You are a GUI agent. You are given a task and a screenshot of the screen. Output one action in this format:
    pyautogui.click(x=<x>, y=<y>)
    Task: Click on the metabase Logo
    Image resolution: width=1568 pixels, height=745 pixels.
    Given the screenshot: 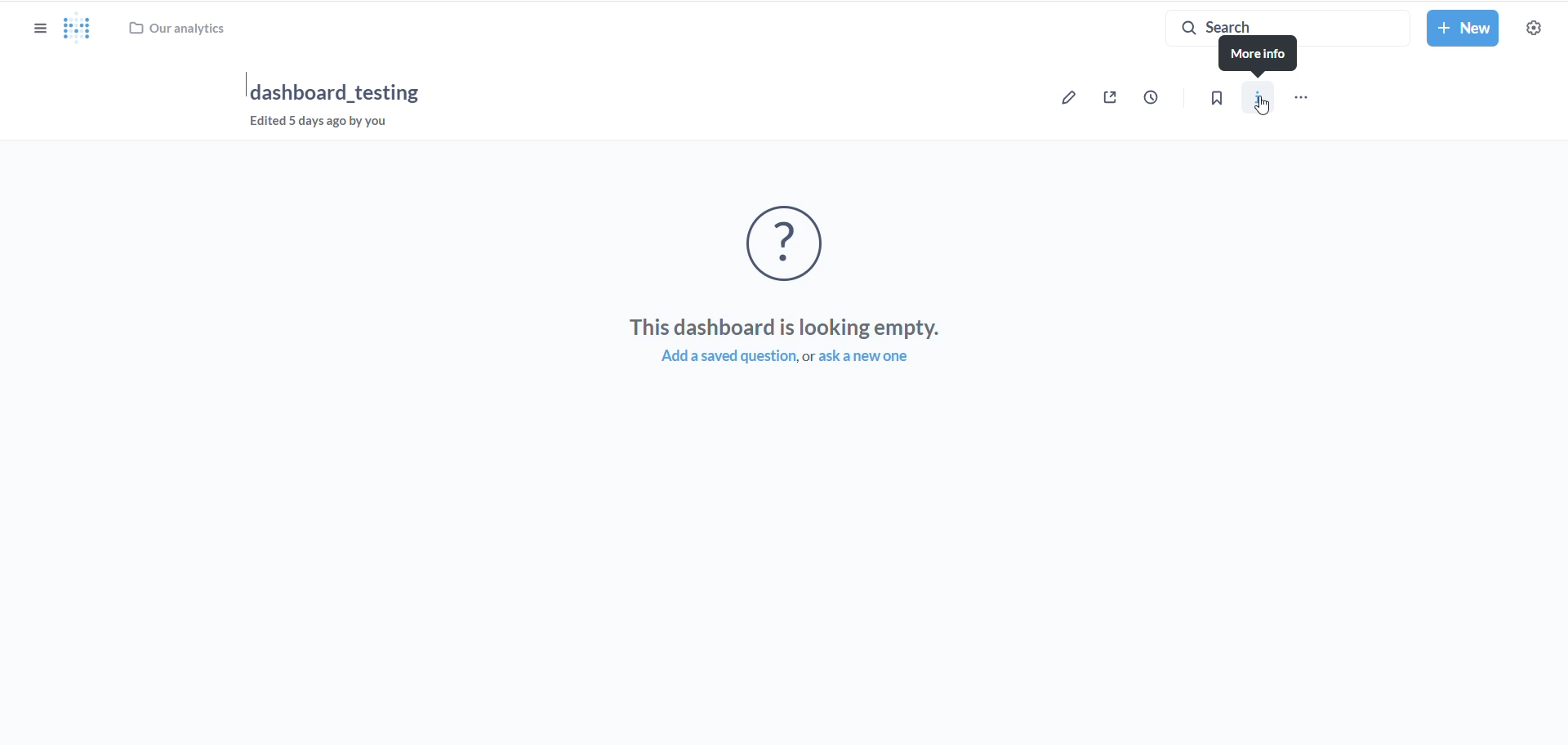 What is the action you would take?
    pyautogui.click(x=78, y=29)
    